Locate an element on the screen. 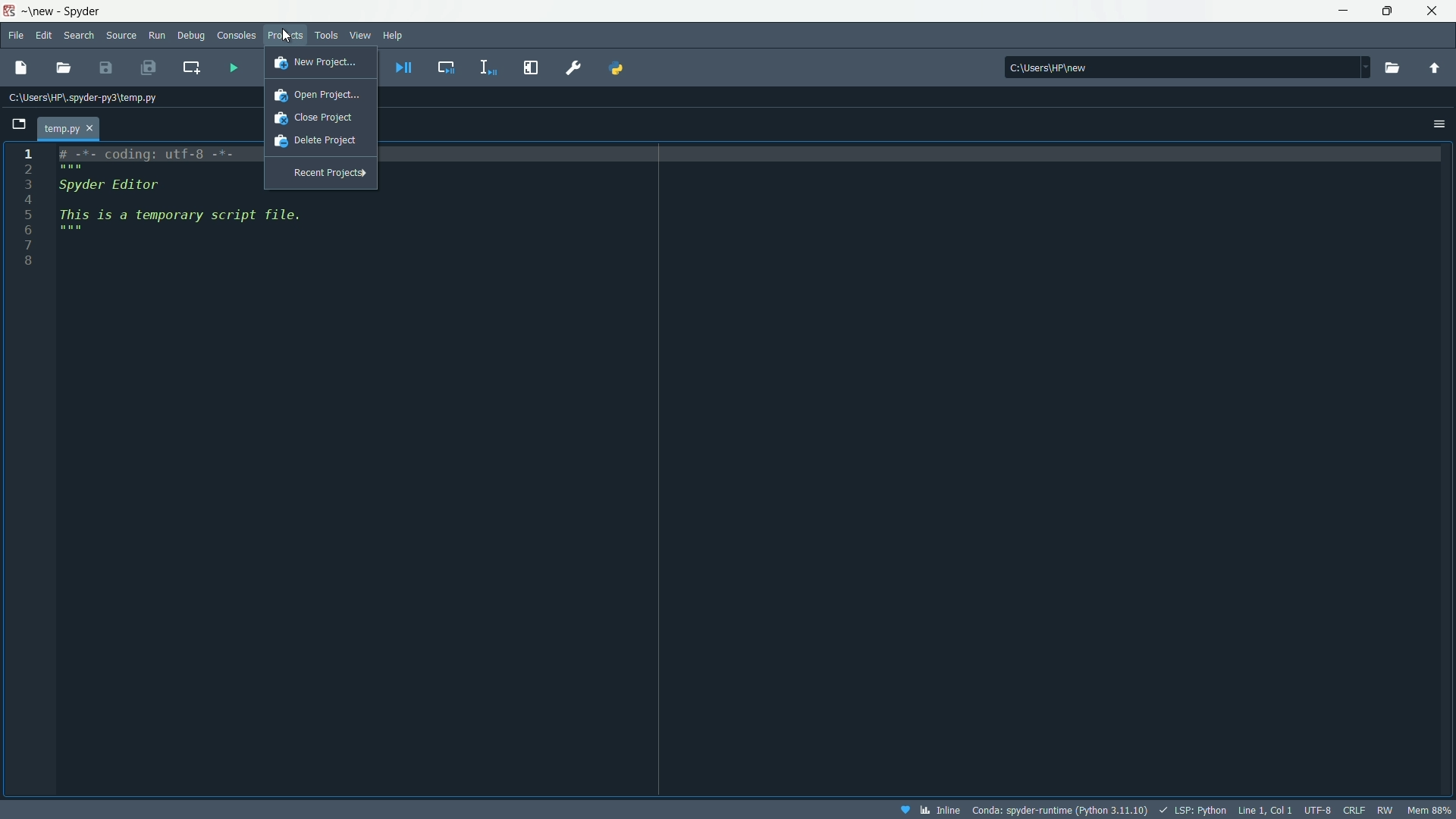 This screenshot has height=819, width=1456. Open file  is located at coordinates (61, 68).